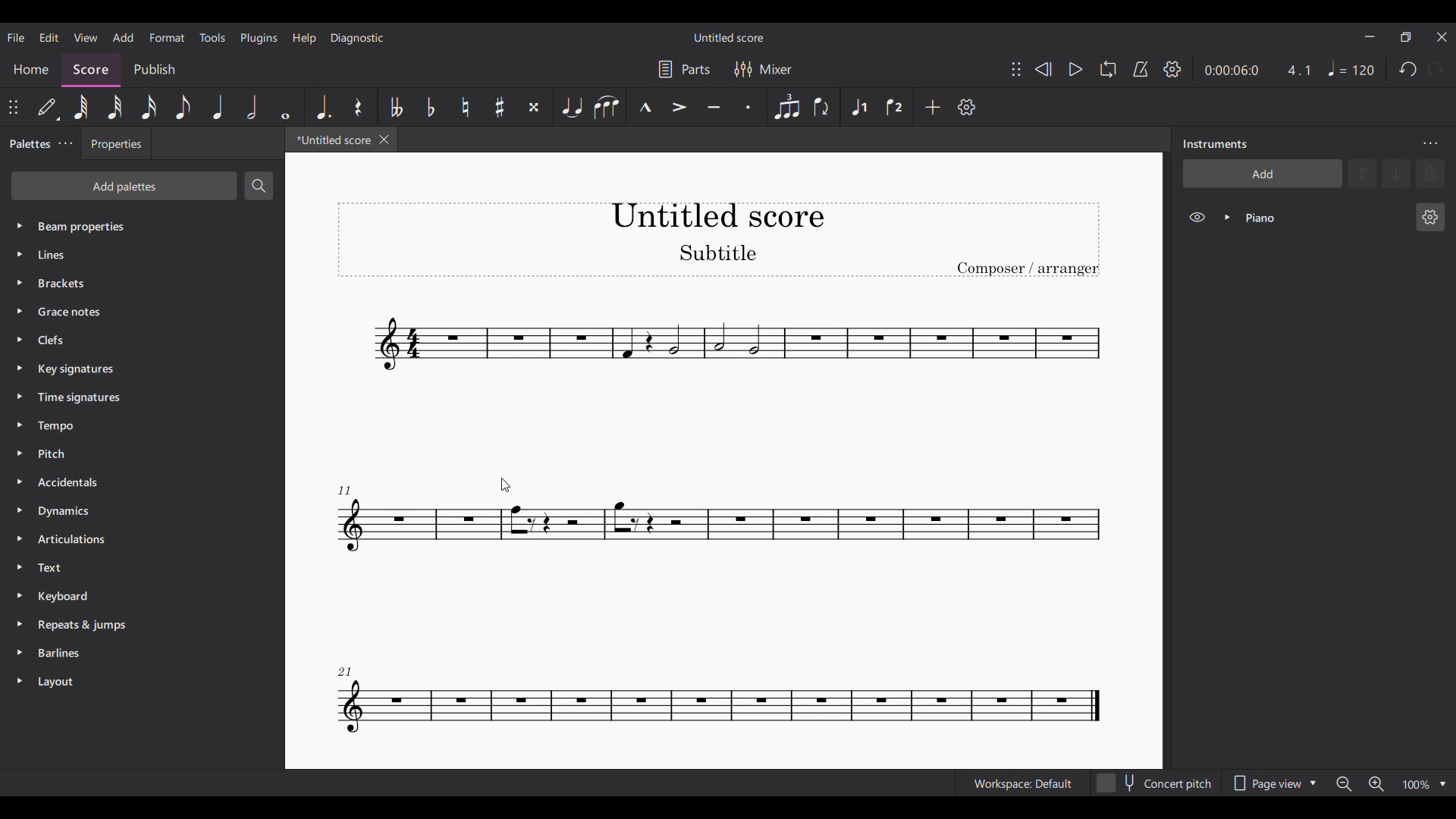 The height and width of the screenshot is (819, 1456). Describe the element at coordinates (1364, 172) in the screenshot. I see `Move selected instrument up` at that location.